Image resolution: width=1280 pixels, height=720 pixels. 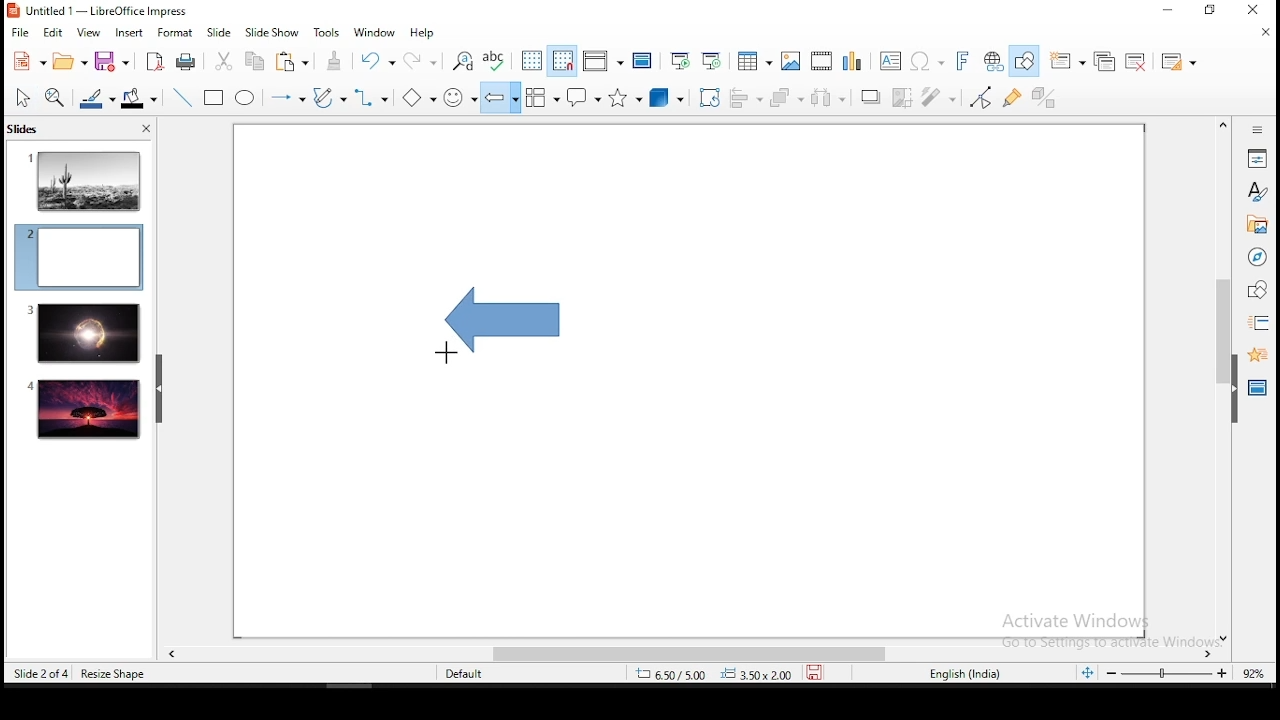 I want to click on text box, so click(x=889, y=61).